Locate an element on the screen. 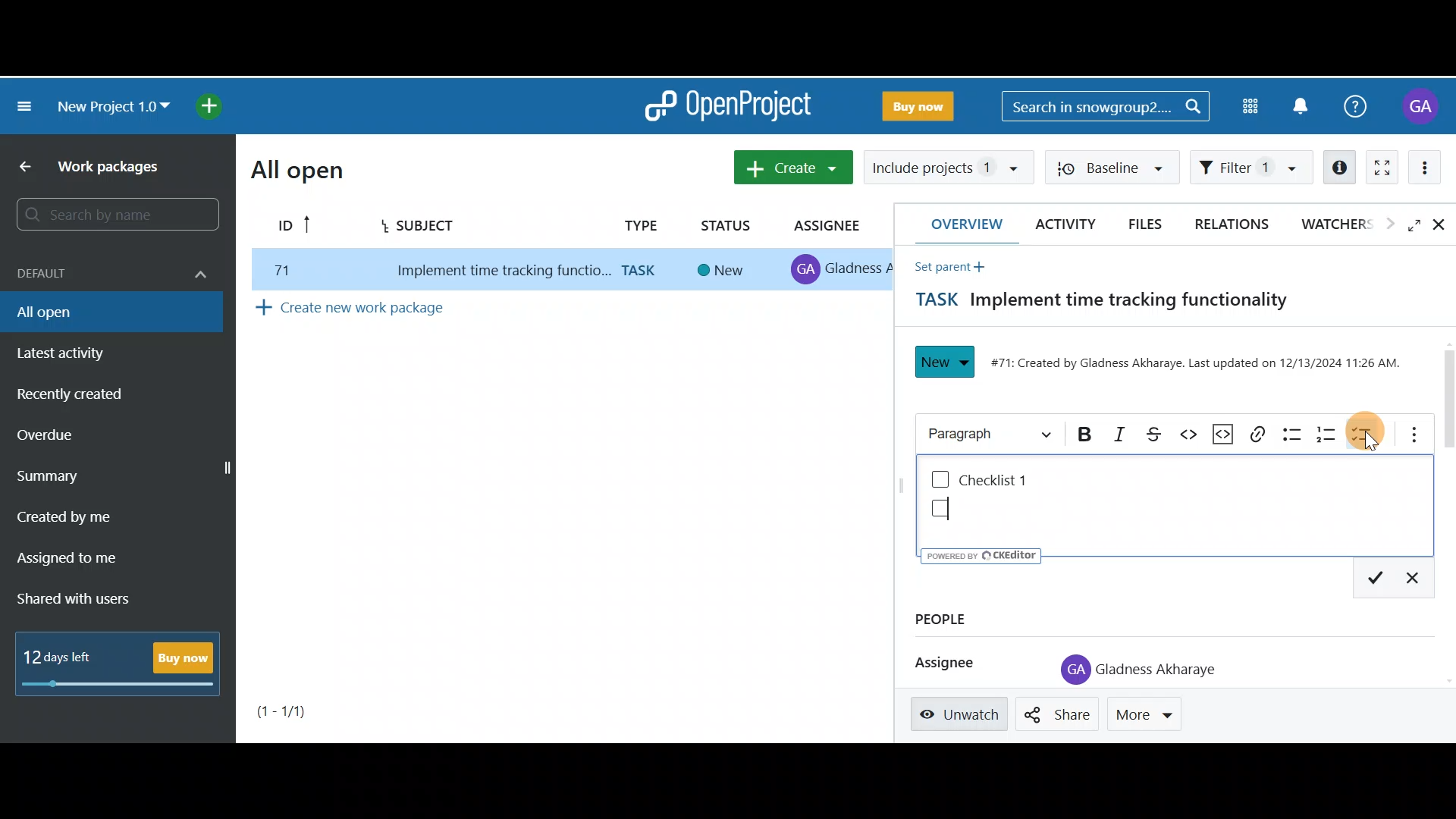 The image size is (1456, 819). Latest activity is located at coordinates (74, 352).